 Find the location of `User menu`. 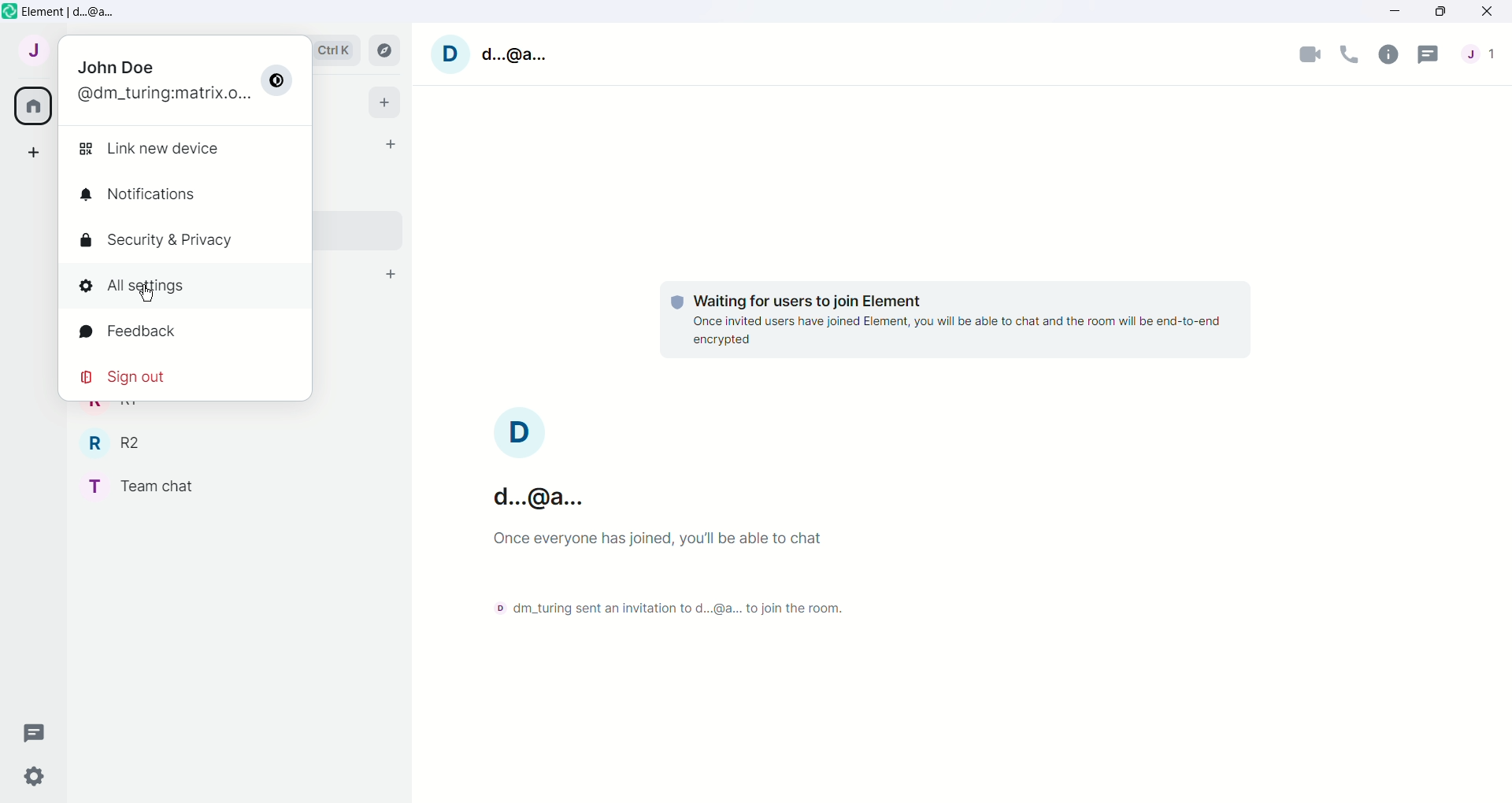

User menu is located at coordinates (35, 48).